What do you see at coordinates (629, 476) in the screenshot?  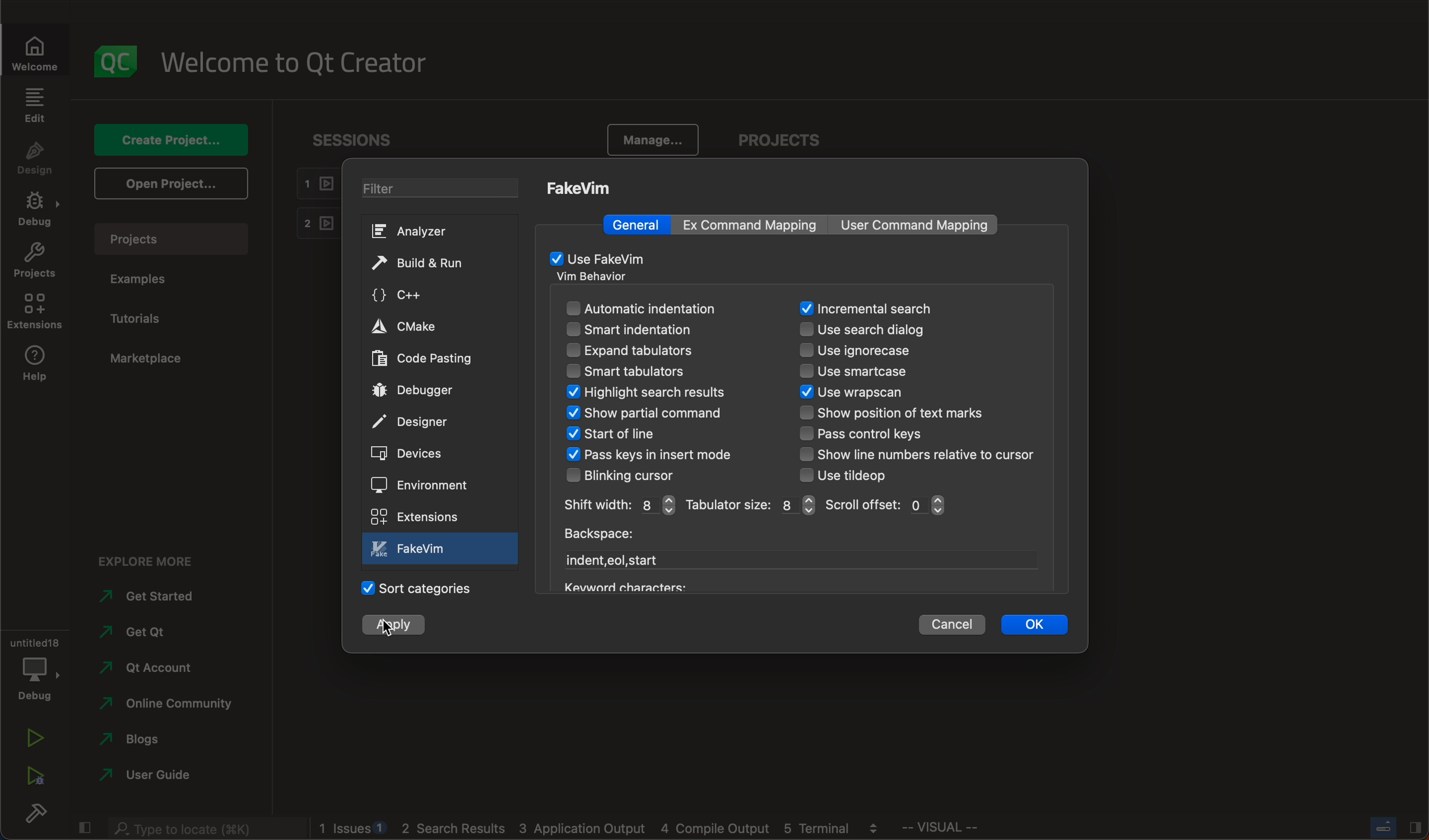 I see `blinking cursor` at bounding box center [629, 476].